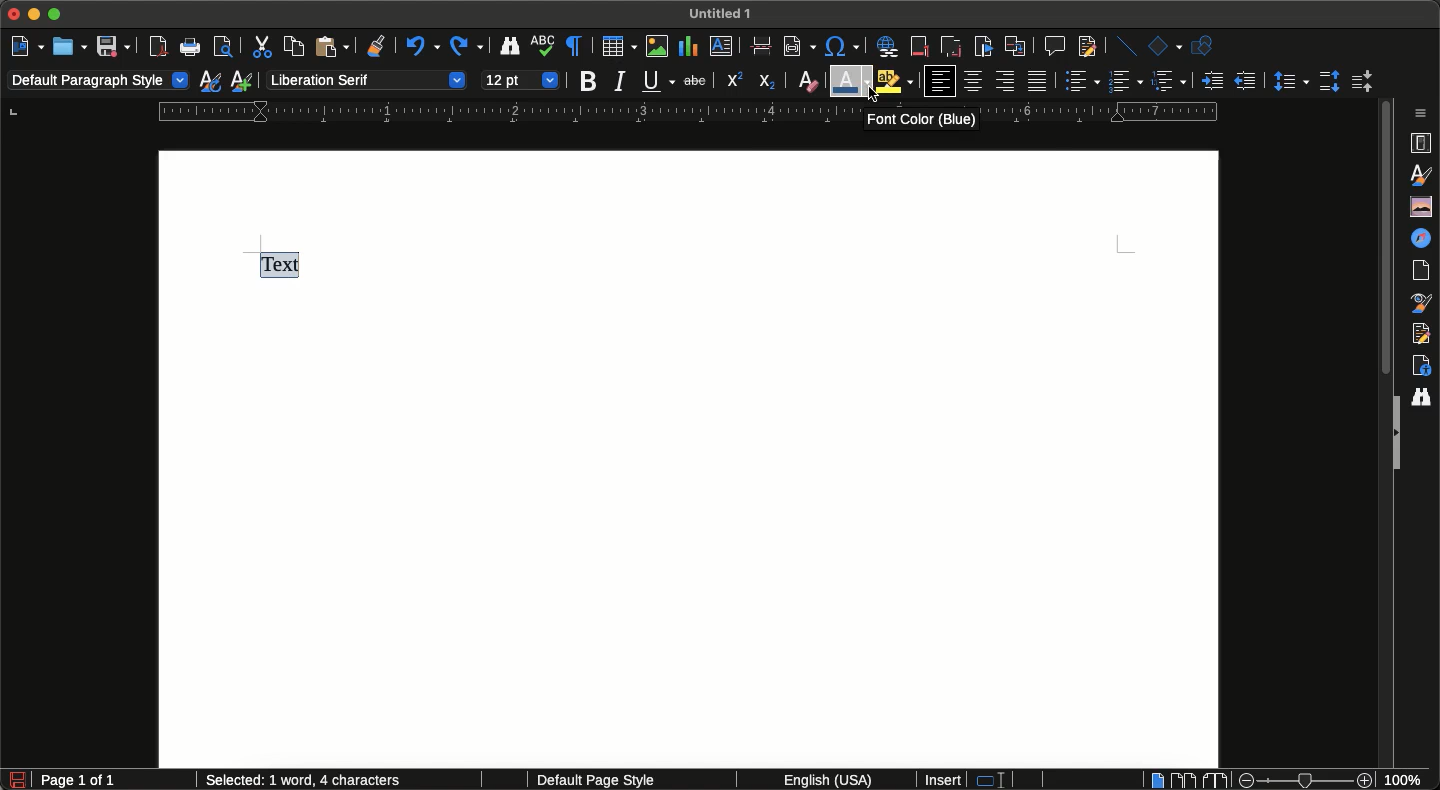  I want to click on Set line spacing, so click(1289, 80).